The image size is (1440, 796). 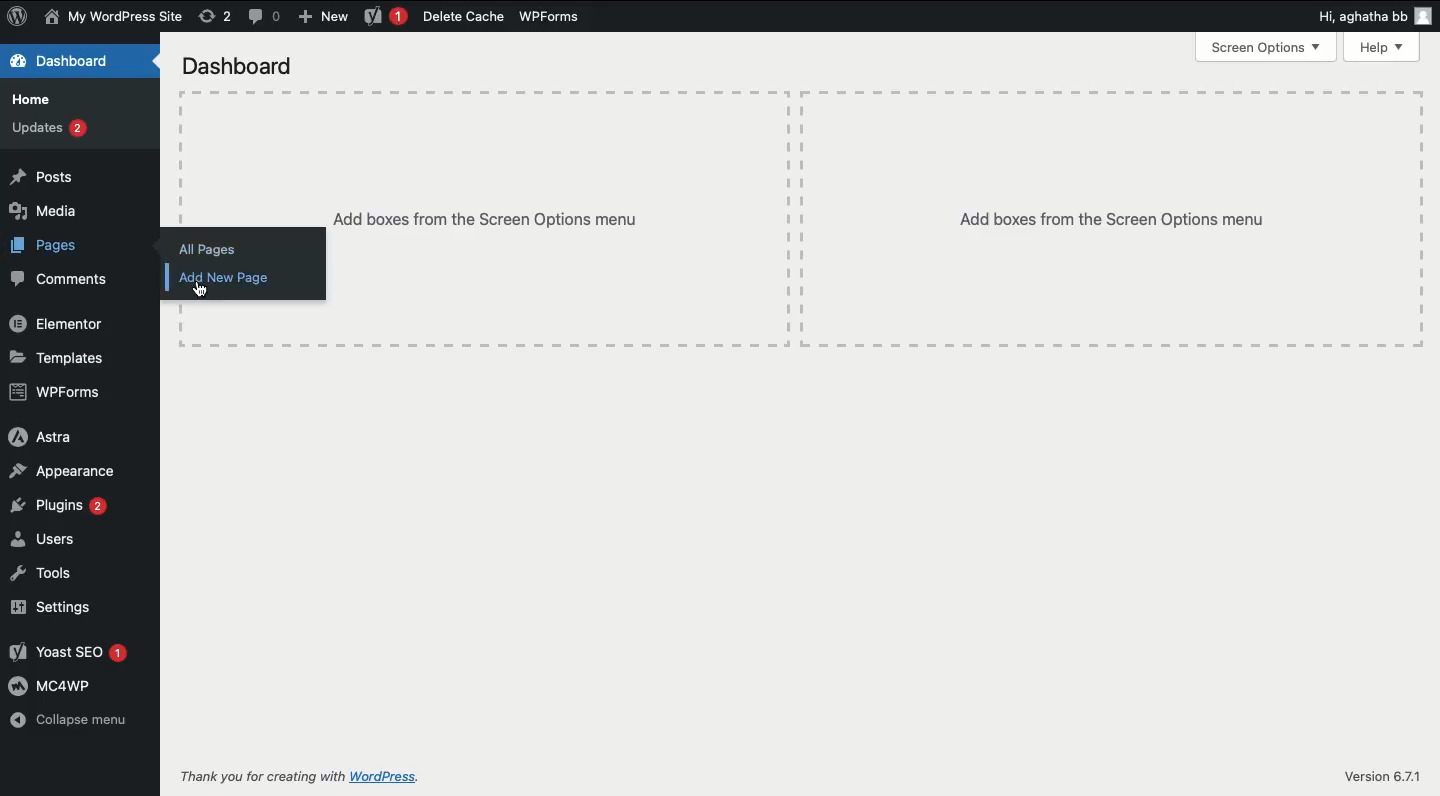 What do you see at coordinates (116, 18) in the screenshot?
I see `My wordpress site` at bounding box center [116, 18].